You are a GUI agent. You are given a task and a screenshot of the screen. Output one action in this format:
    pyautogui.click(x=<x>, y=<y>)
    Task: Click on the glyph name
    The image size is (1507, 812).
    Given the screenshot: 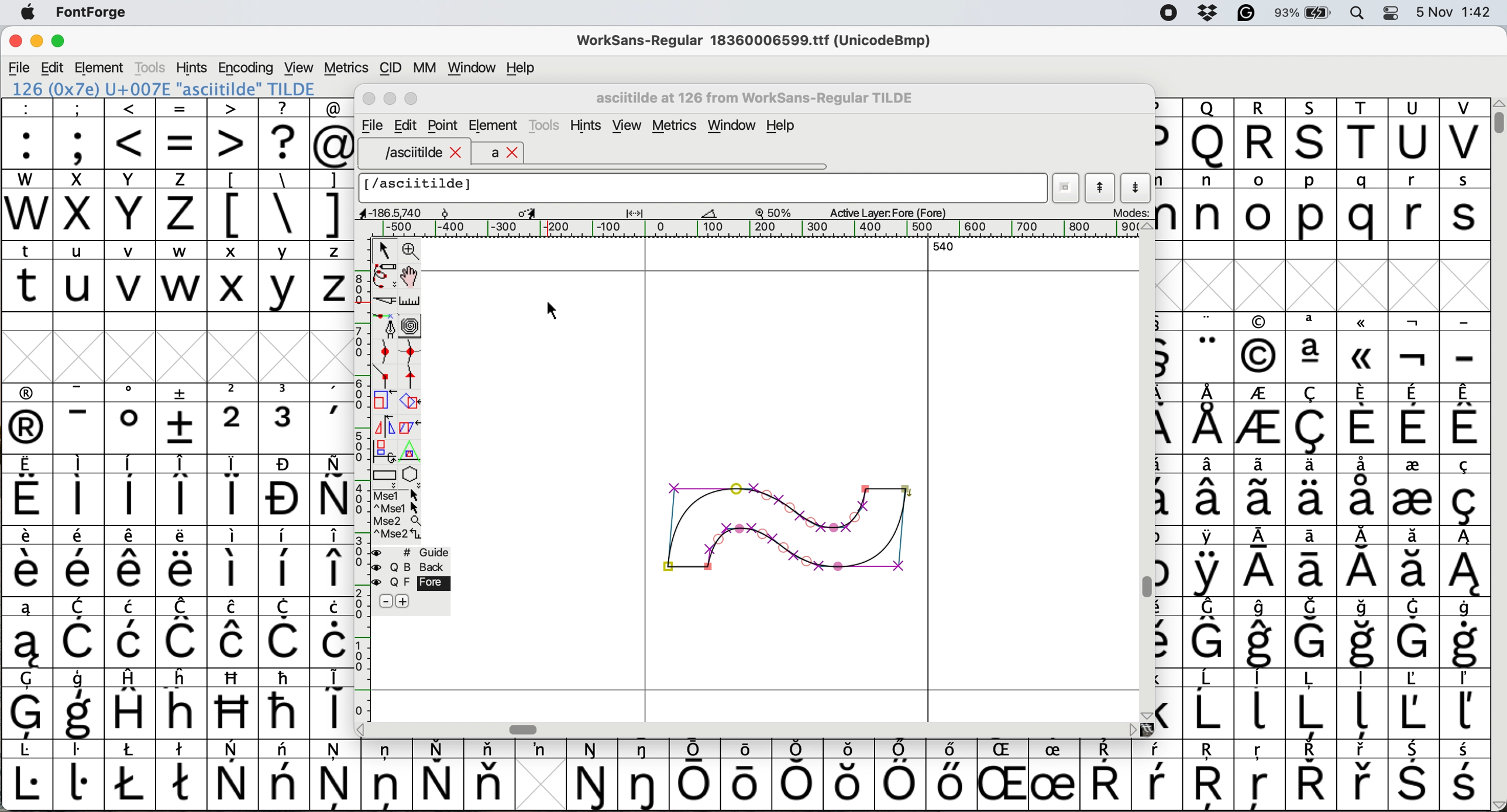 What is the action you would take?
    pyautogui.click(x=704, y=188)
    